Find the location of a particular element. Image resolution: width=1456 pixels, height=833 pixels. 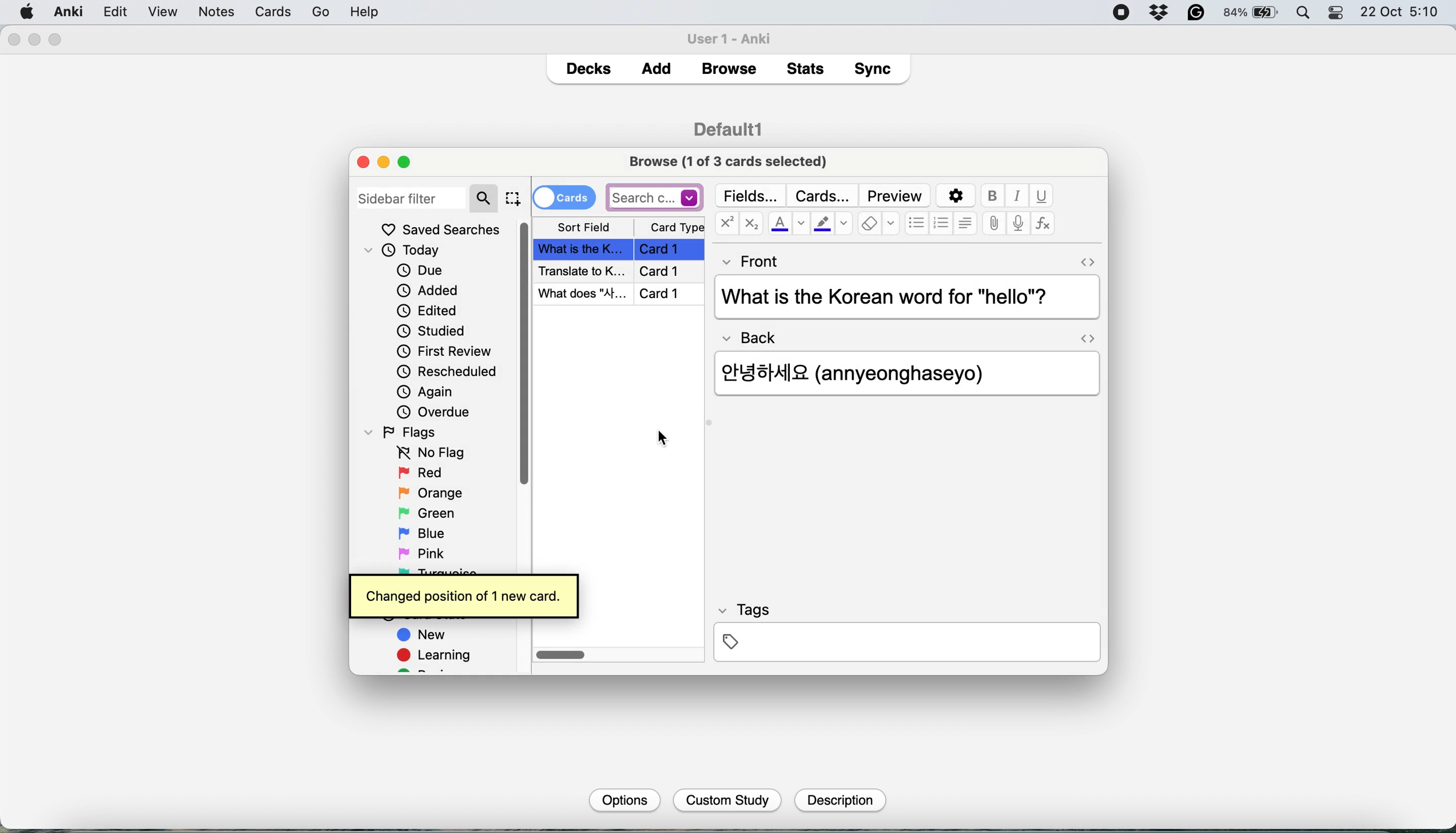

highlight color is located at coordinates (831, 225).